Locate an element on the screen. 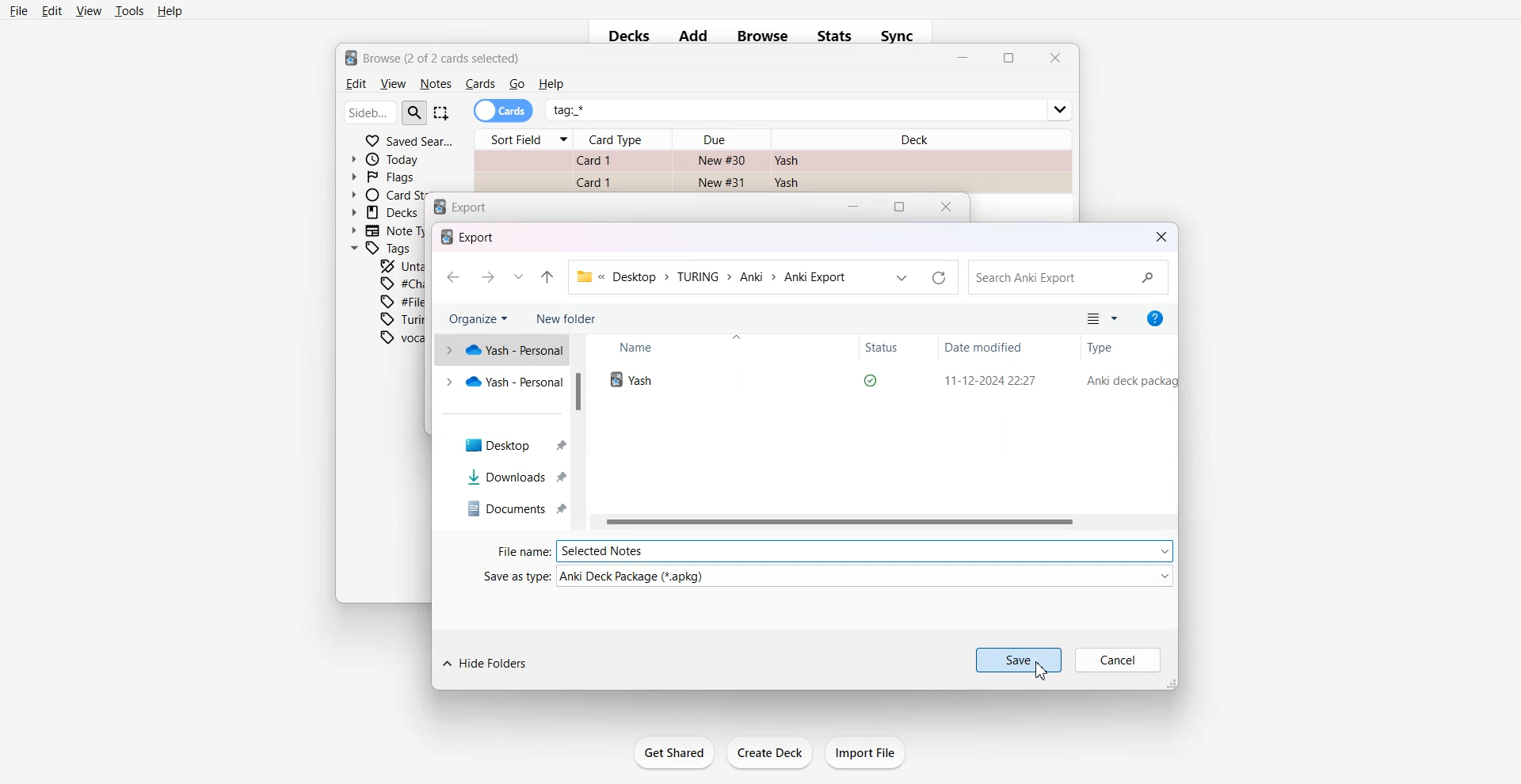 The width and height of the screenshot is (1521, 784). Date modified is located at coordinates (996, 348).